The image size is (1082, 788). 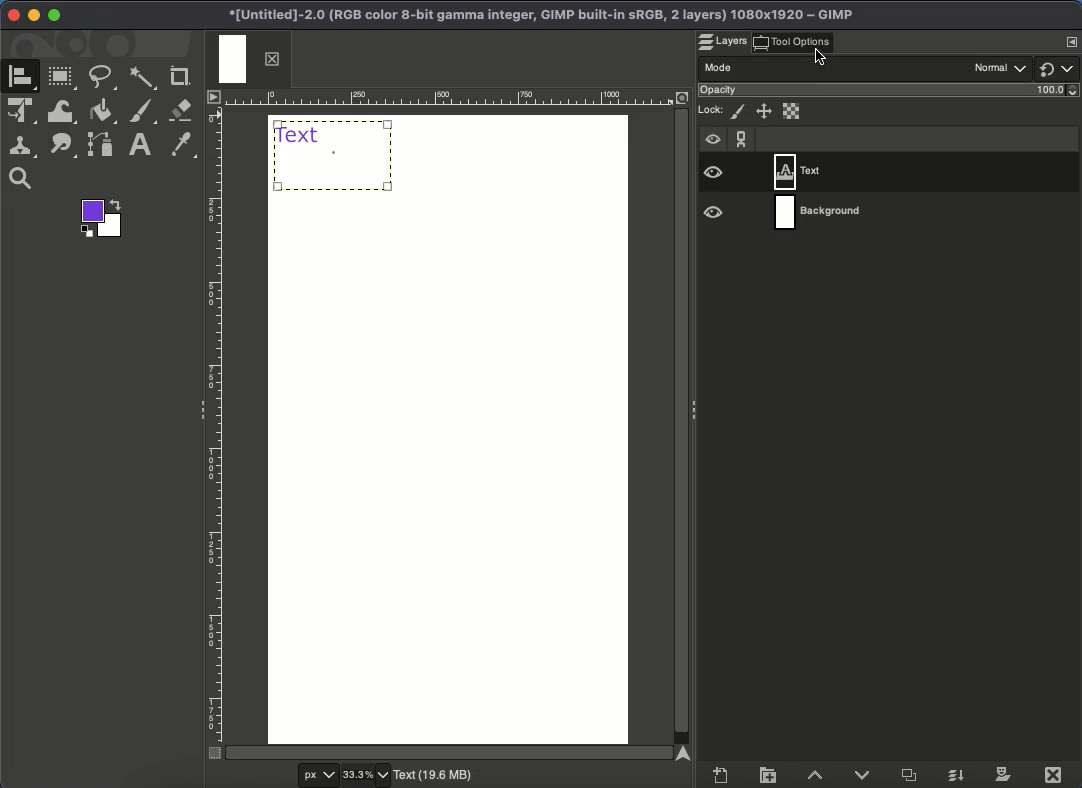 I want to click on A, so click(x=24, y=78).